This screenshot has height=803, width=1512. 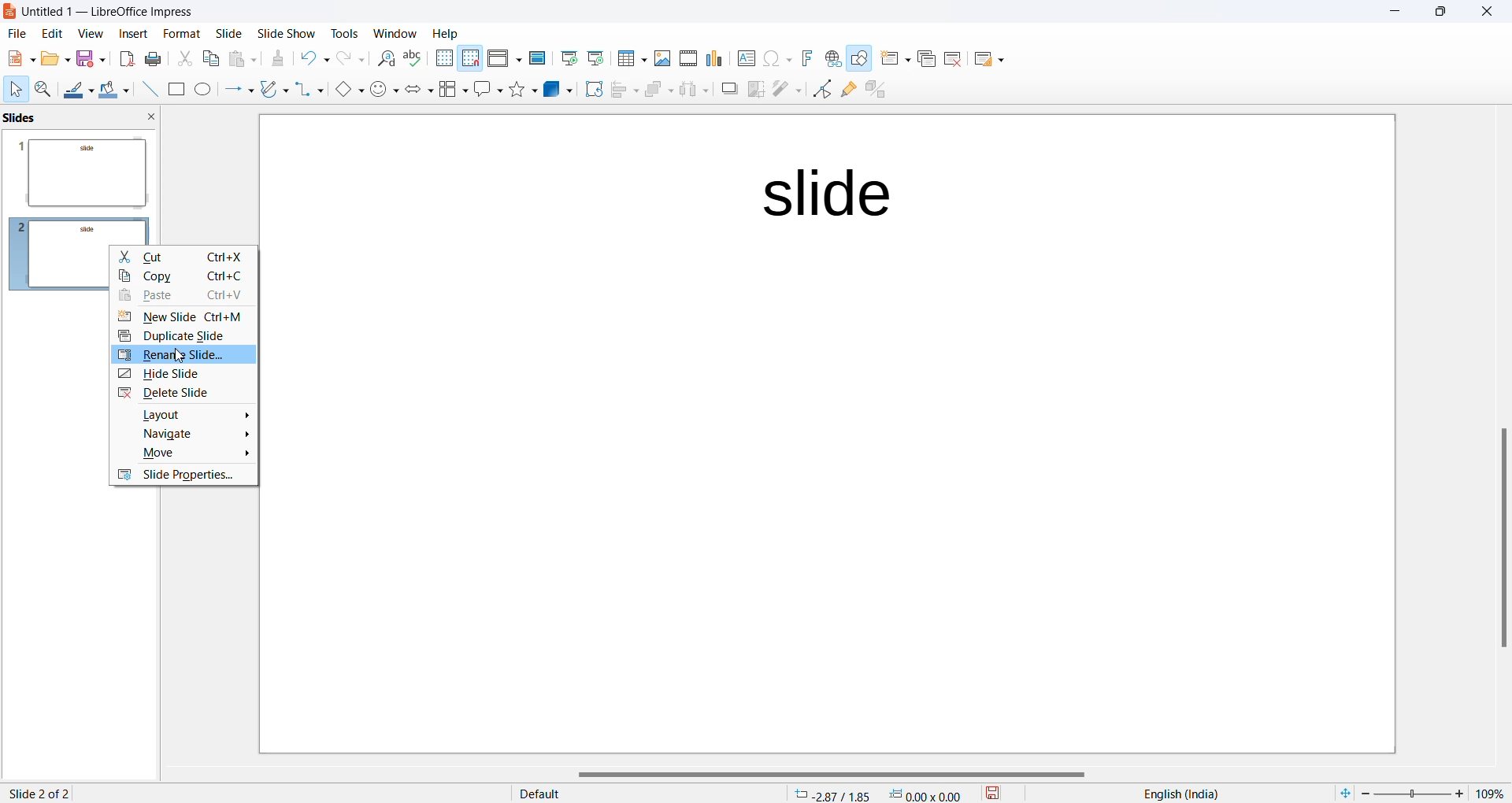 I want to click on Arrange, so click(x=655, y=92).